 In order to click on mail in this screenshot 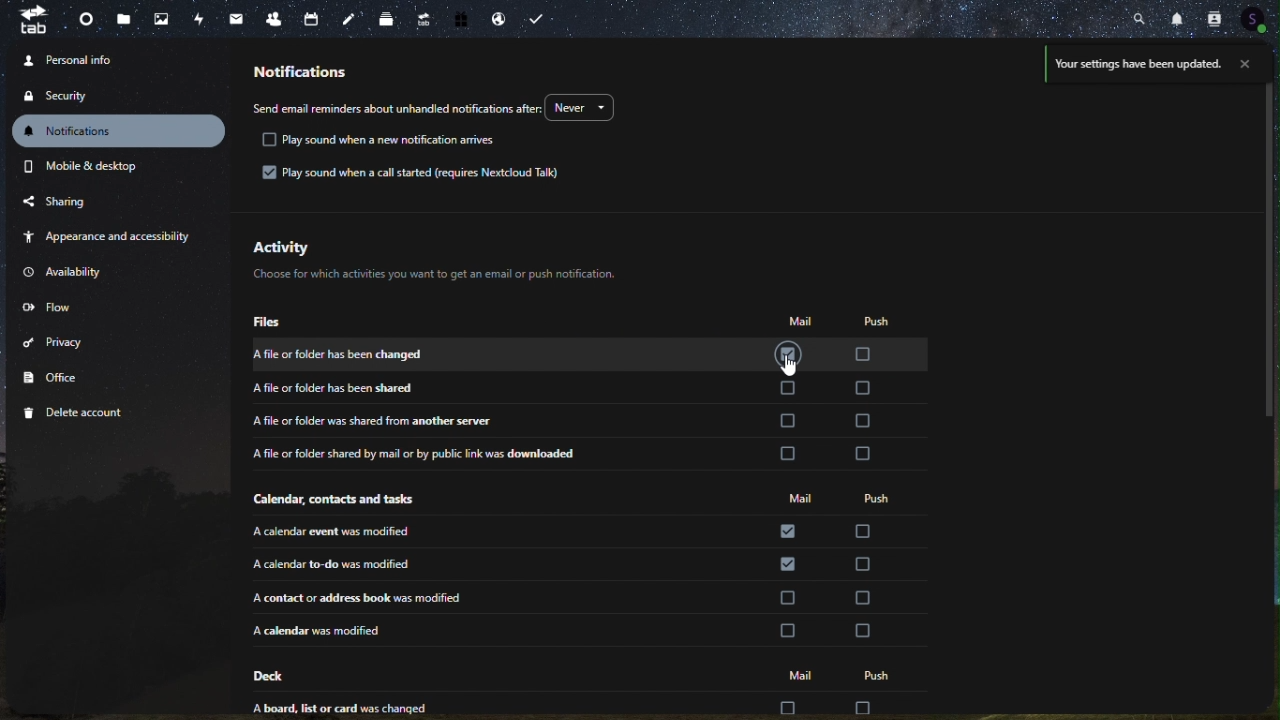, I will do `click(801, 500)`.